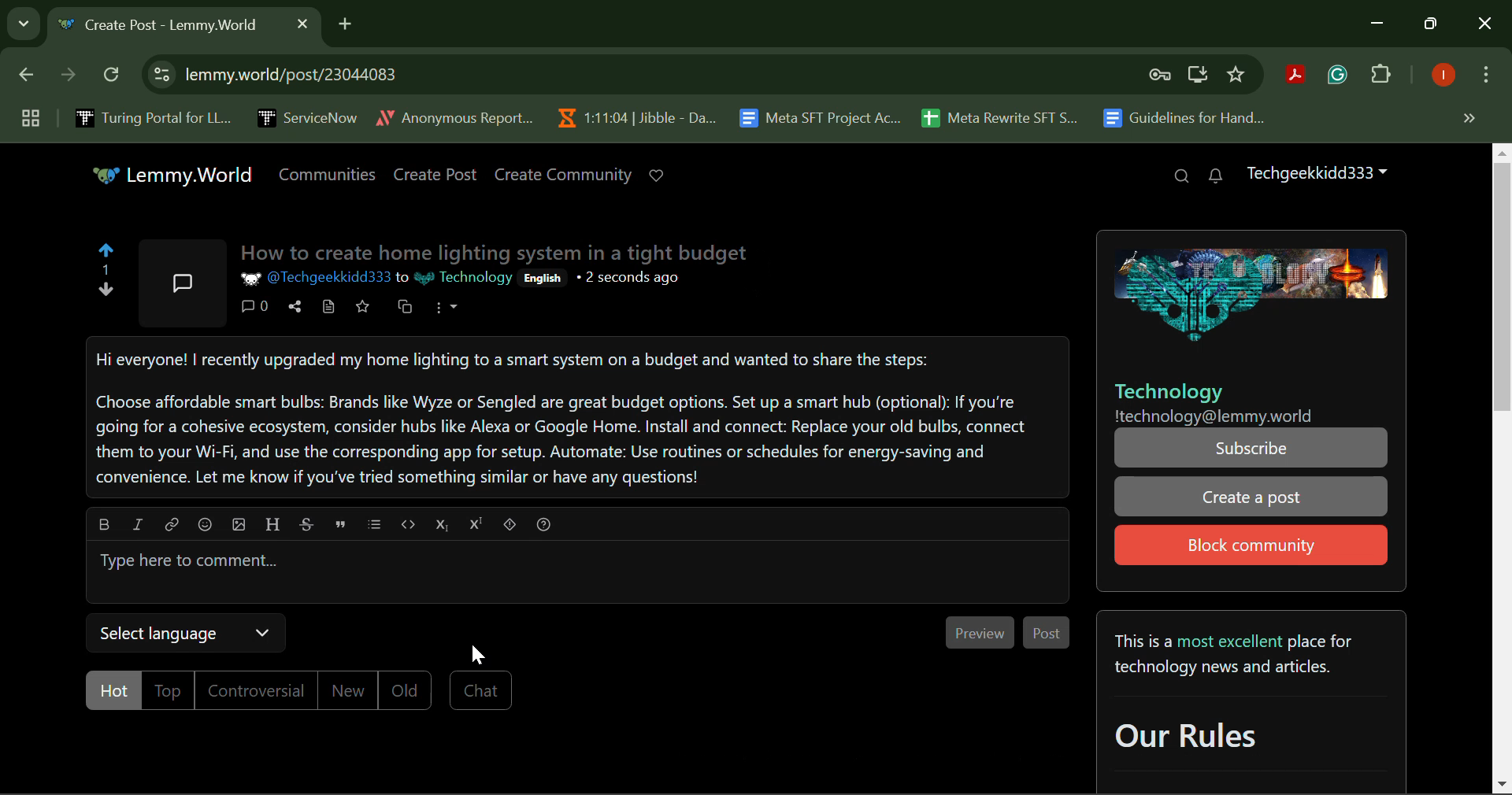  What do you see at coordinates (113, 76) in the screenshot?
I see `Refresh Page ` at bounding box center [113, 76].